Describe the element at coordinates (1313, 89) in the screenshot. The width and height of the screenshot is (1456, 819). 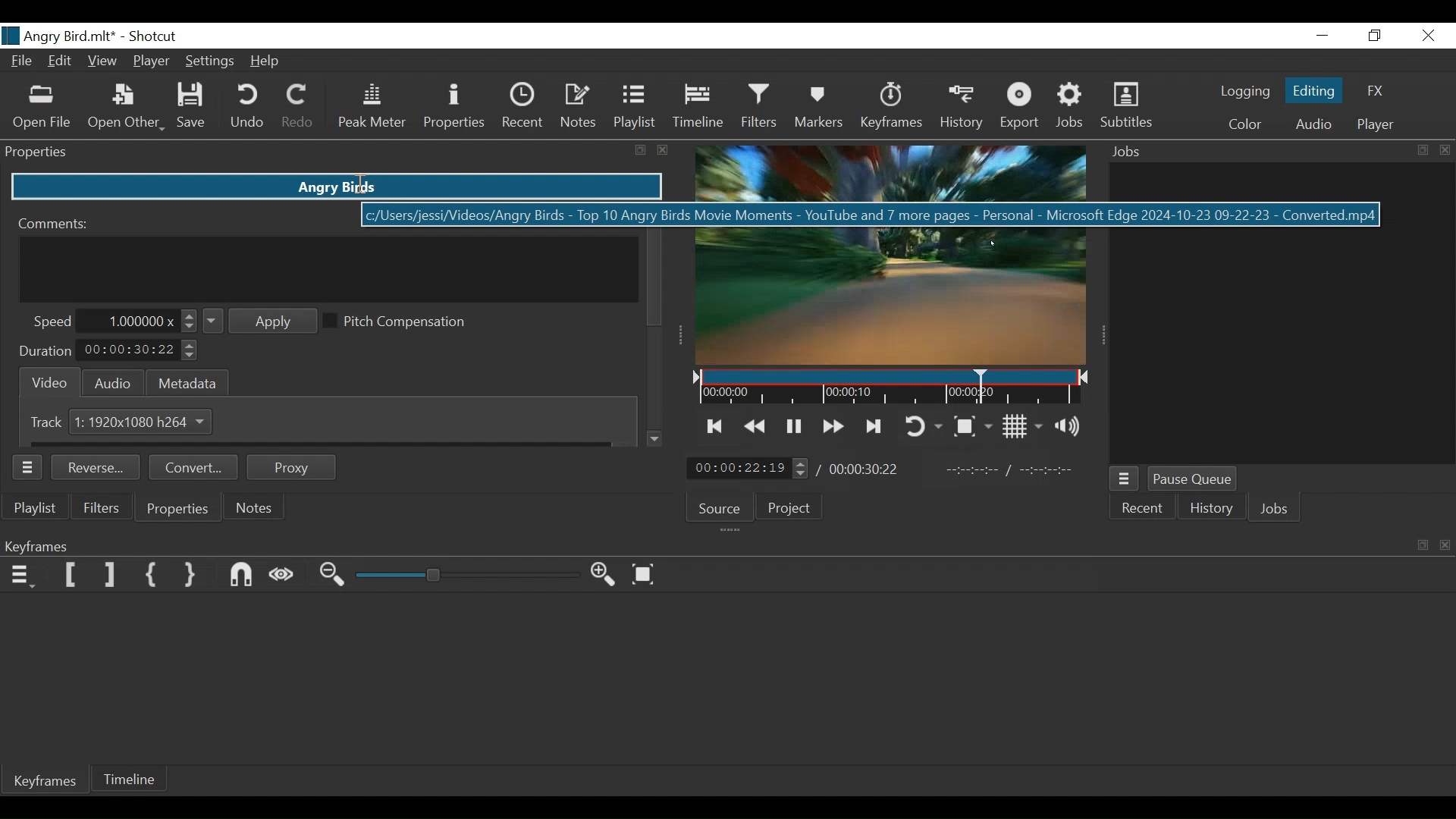
I see `Editing` at that location.